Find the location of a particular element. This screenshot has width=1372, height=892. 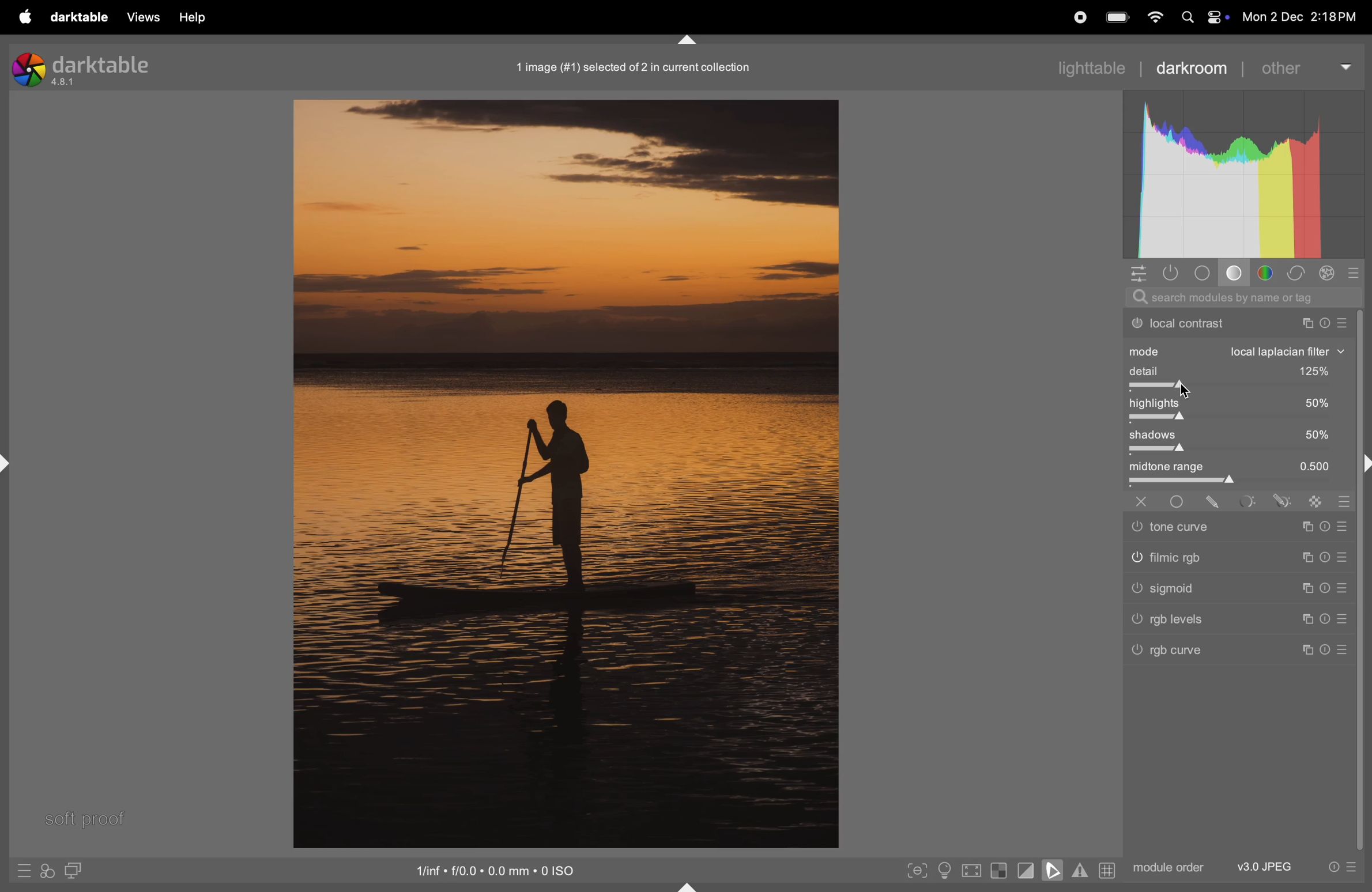

effect is located at coordinates (1328, 273).